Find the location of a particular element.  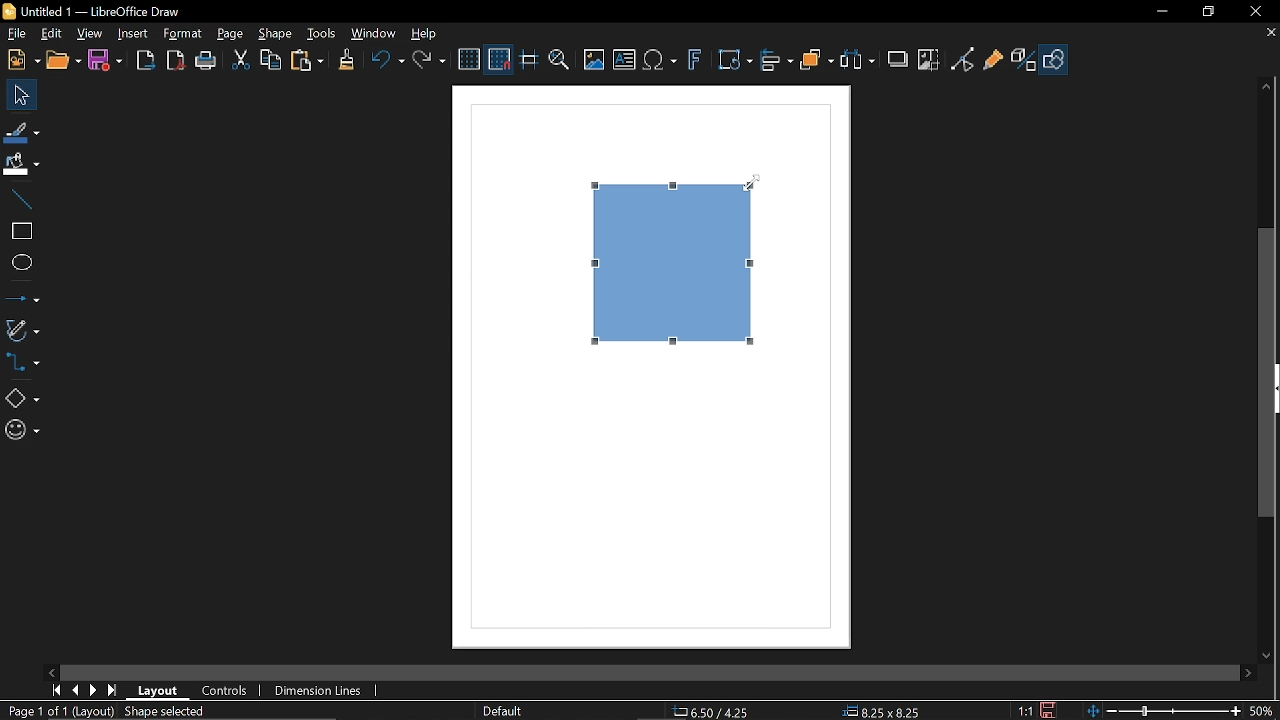

Add text is located at coordinates (625, 61).